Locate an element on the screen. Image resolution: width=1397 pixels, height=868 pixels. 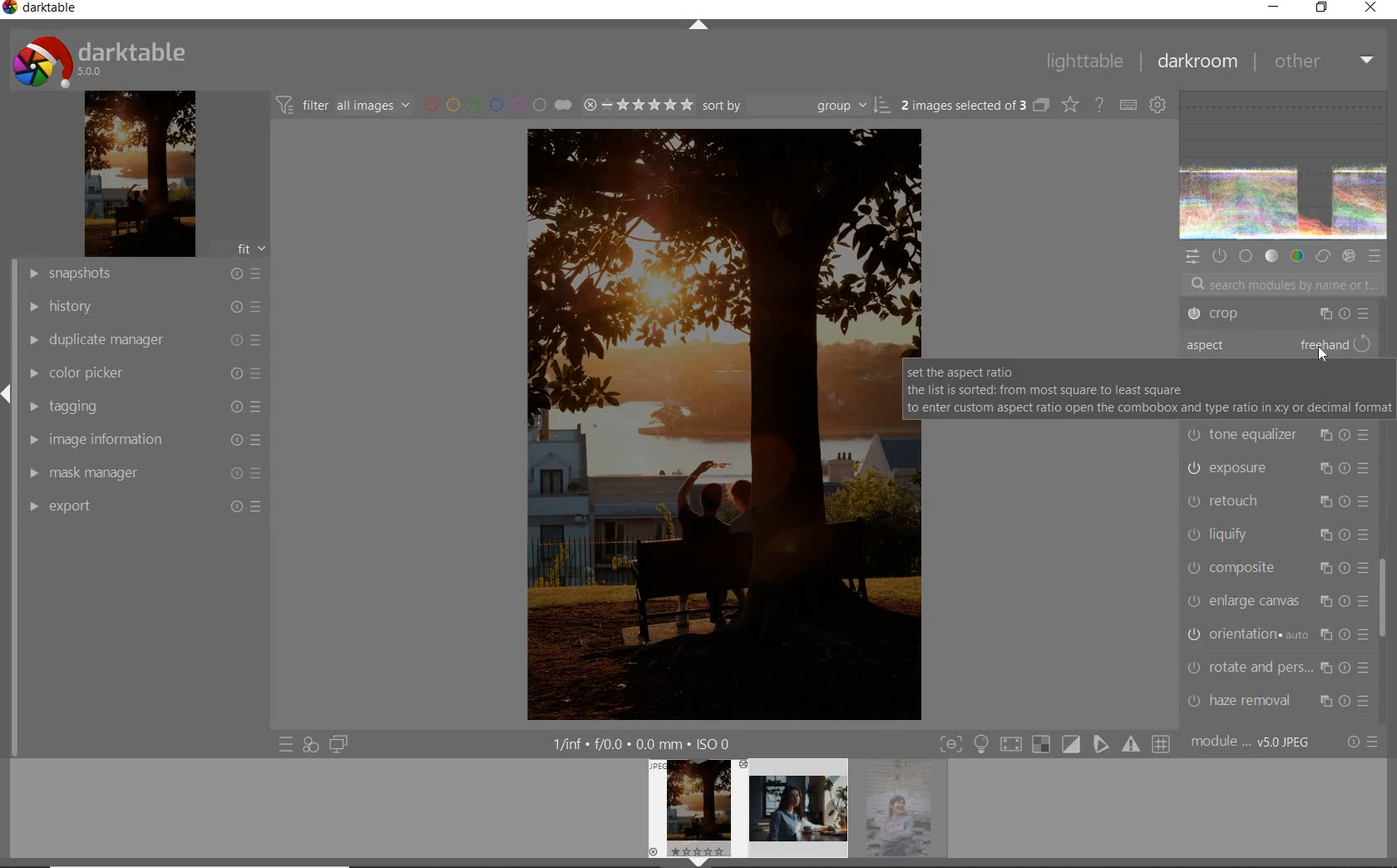
lighttable is located at coordinates (1085, 62).